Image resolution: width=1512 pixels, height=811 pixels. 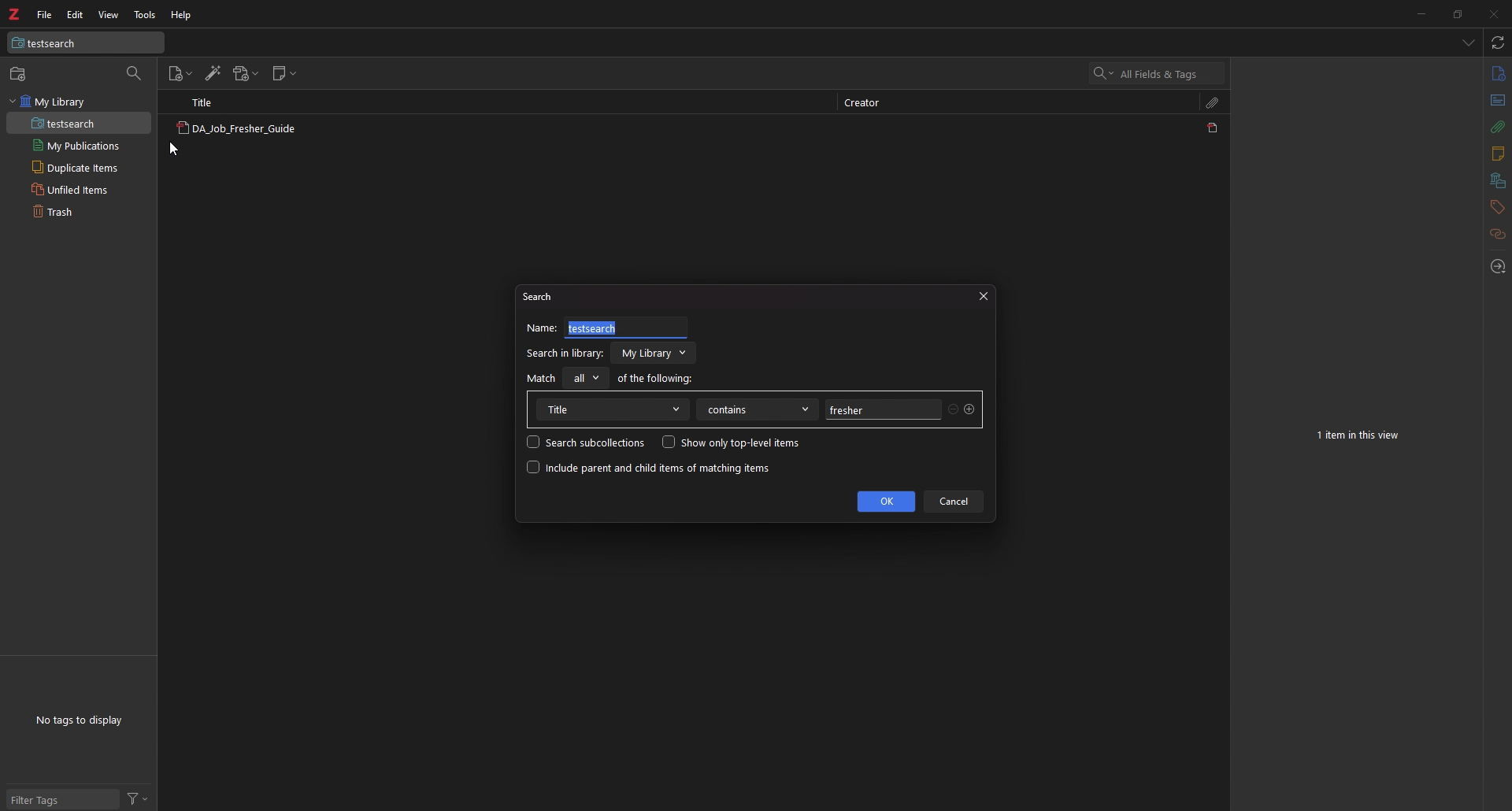 What do you see at coordinates (79, 189) in the screenshot?
I see `unfiled items` at bounding box center [79, 189].